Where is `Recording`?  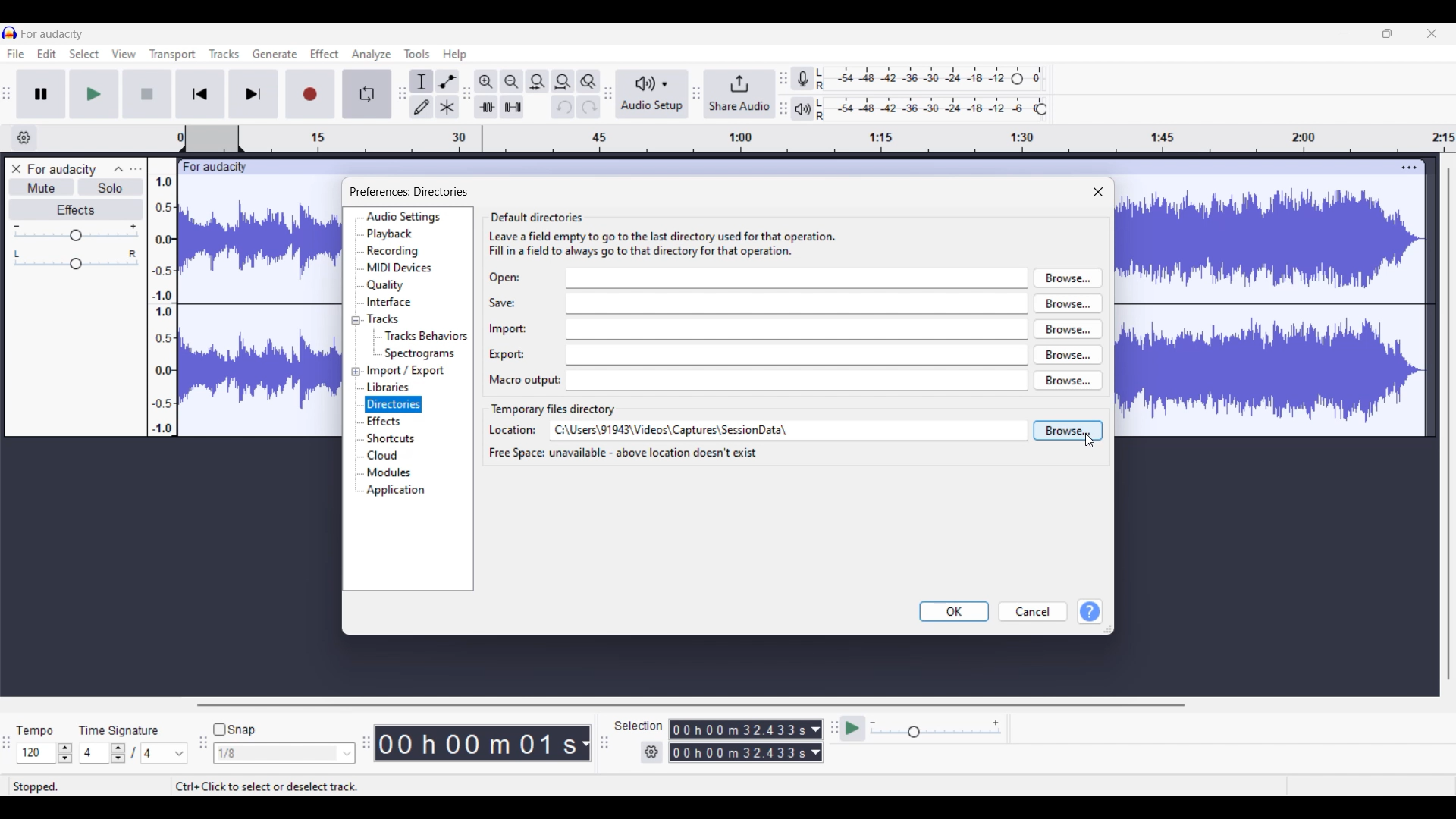 Recording is located at coordinates (392, 251).